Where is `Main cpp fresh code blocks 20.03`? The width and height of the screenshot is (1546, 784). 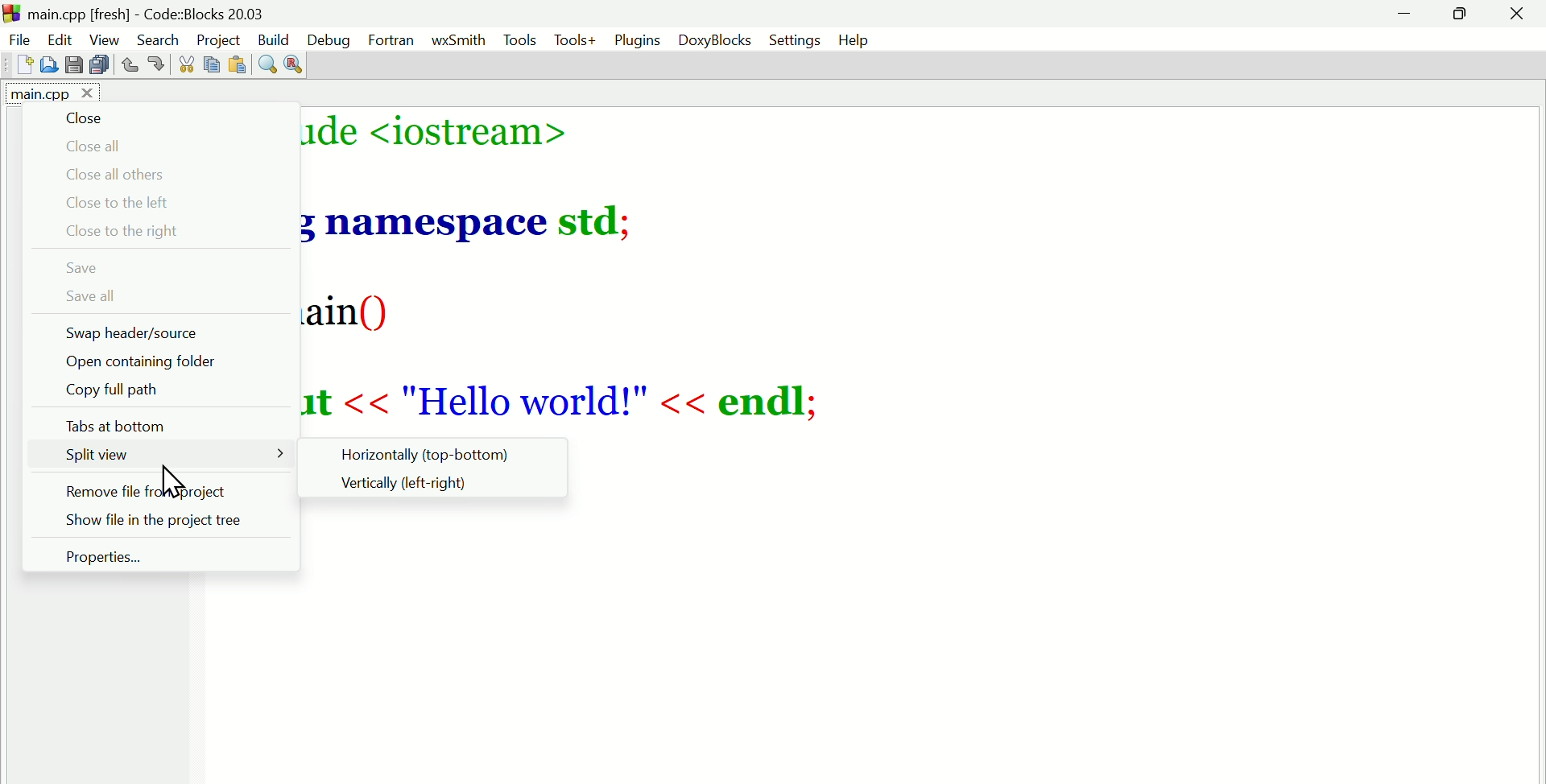 Main cpp fresh code blocks 20.03 is located at coordinates (189, 13).